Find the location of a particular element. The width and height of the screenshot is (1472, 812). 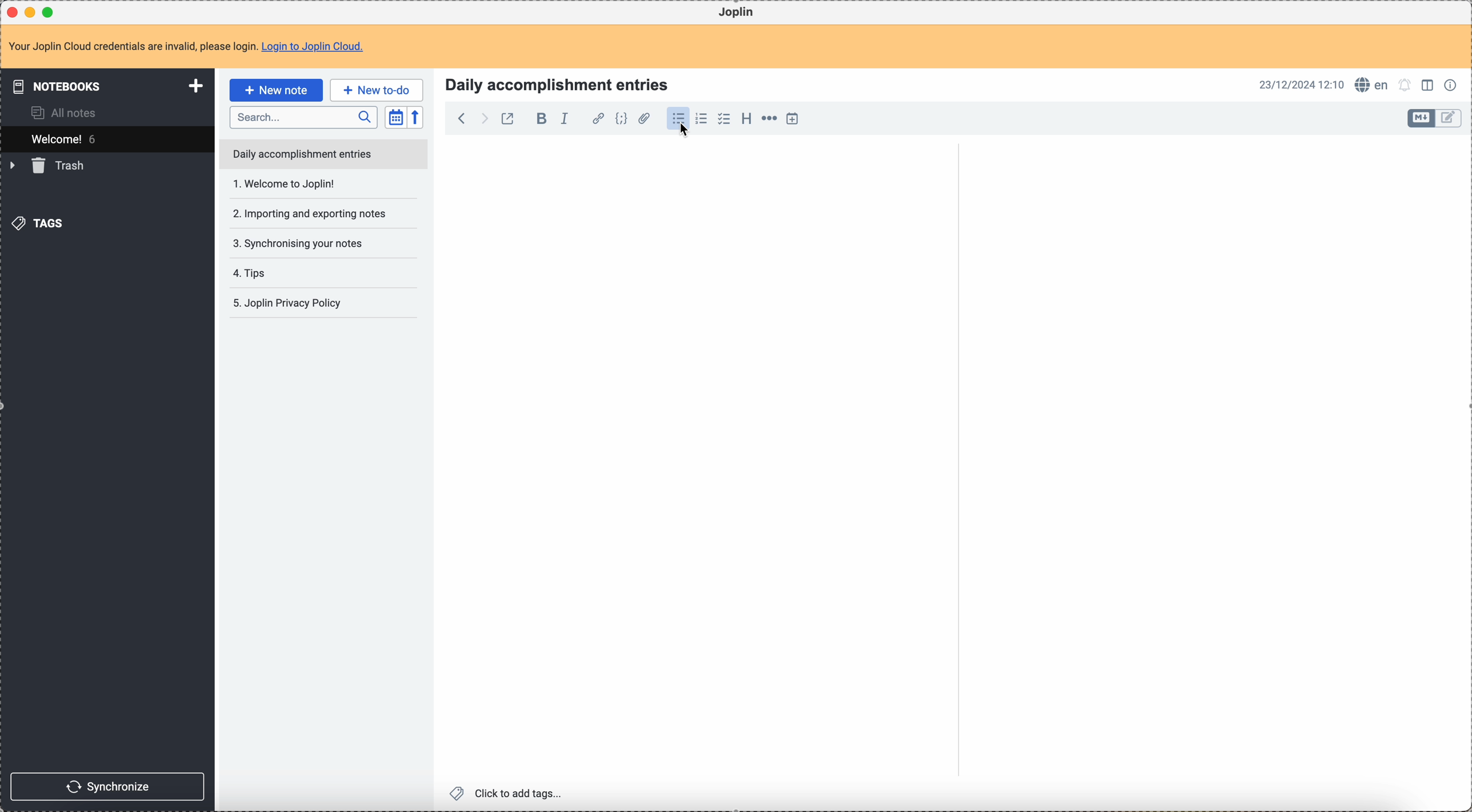

body  is located at coordinates (694, 461).